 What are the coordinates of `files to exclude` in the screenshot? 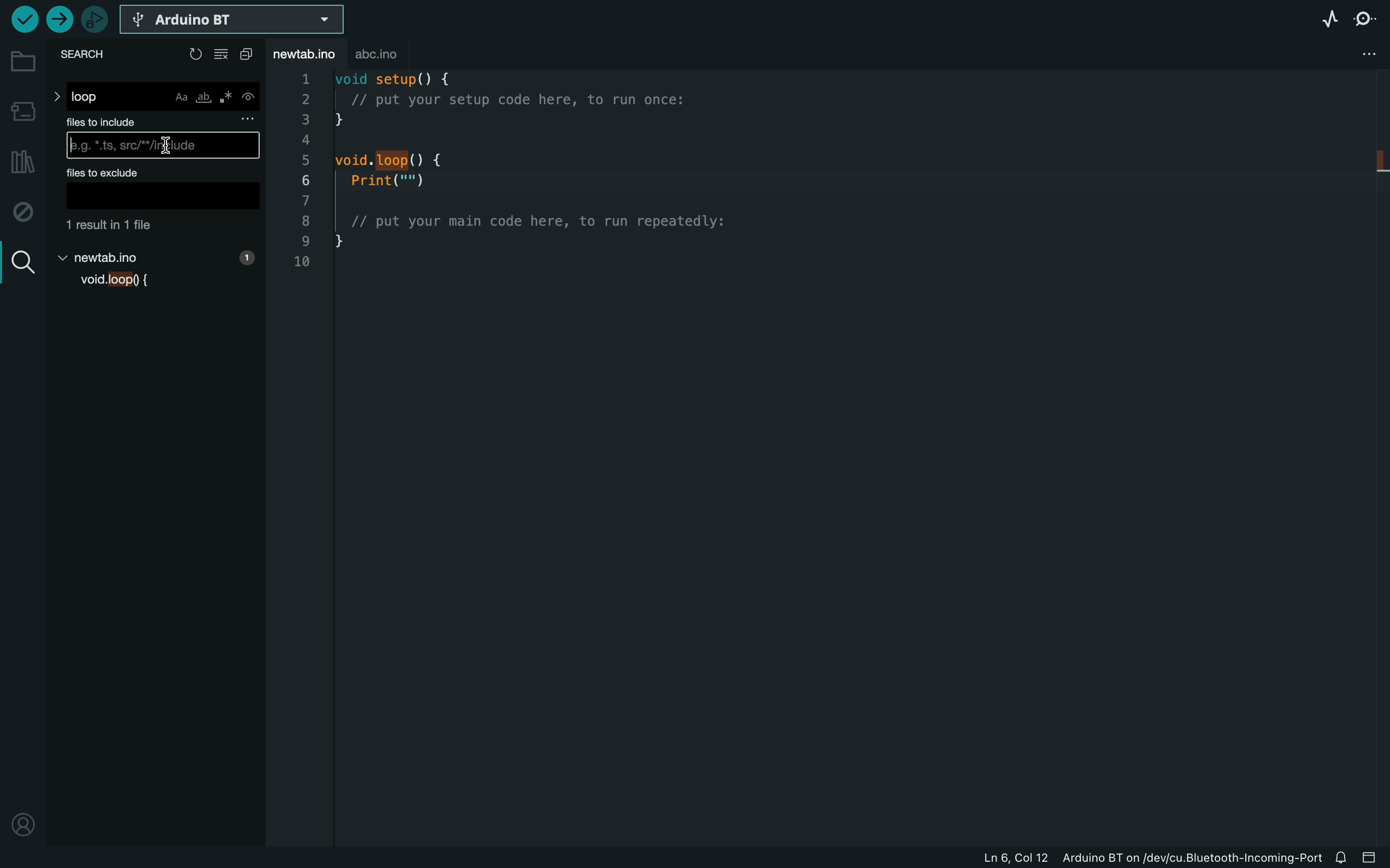 It's located at (157, 172).